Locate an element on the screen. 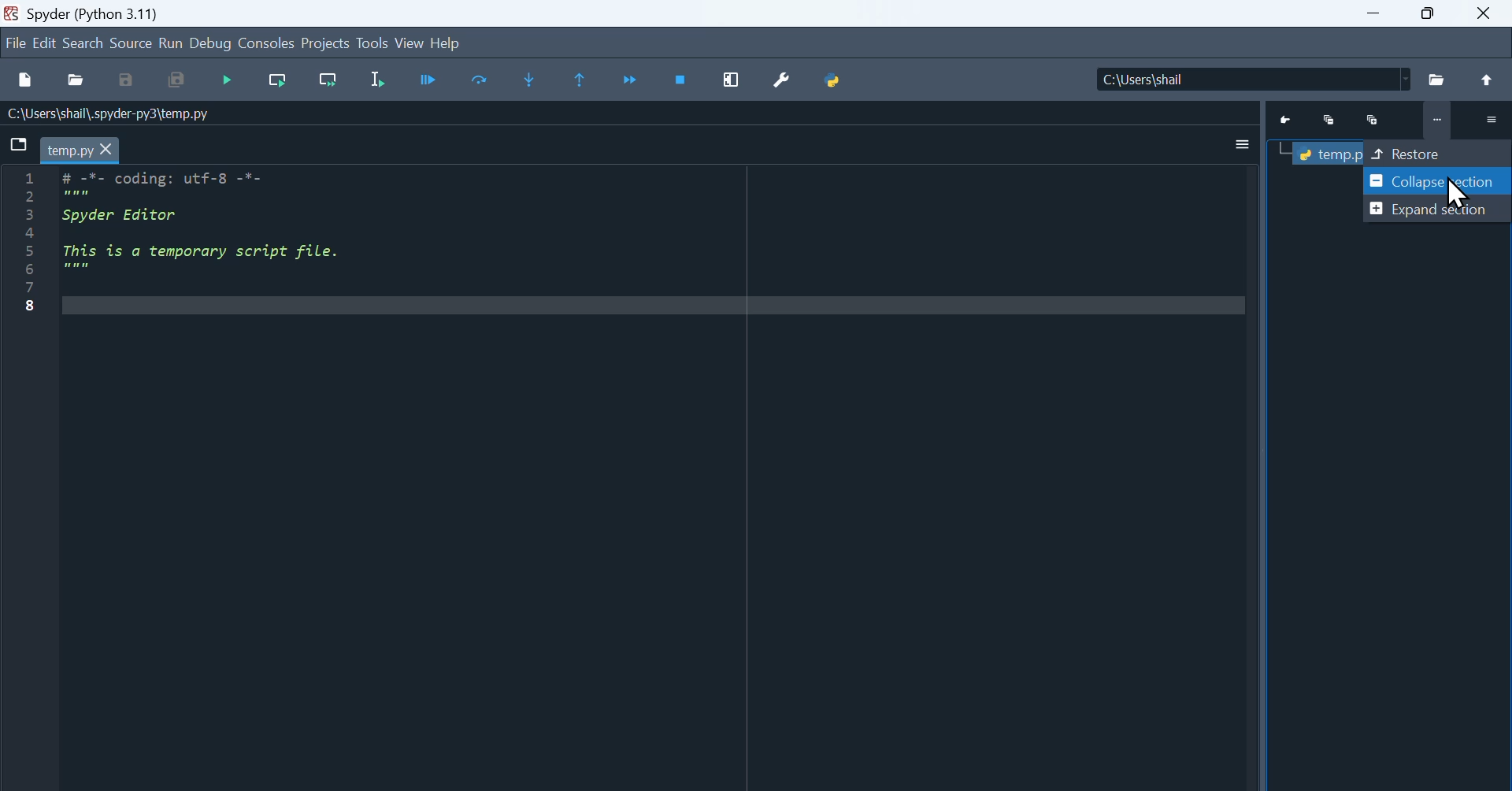  Continue execution until next breakpoint is located at coordinates (632, 82).